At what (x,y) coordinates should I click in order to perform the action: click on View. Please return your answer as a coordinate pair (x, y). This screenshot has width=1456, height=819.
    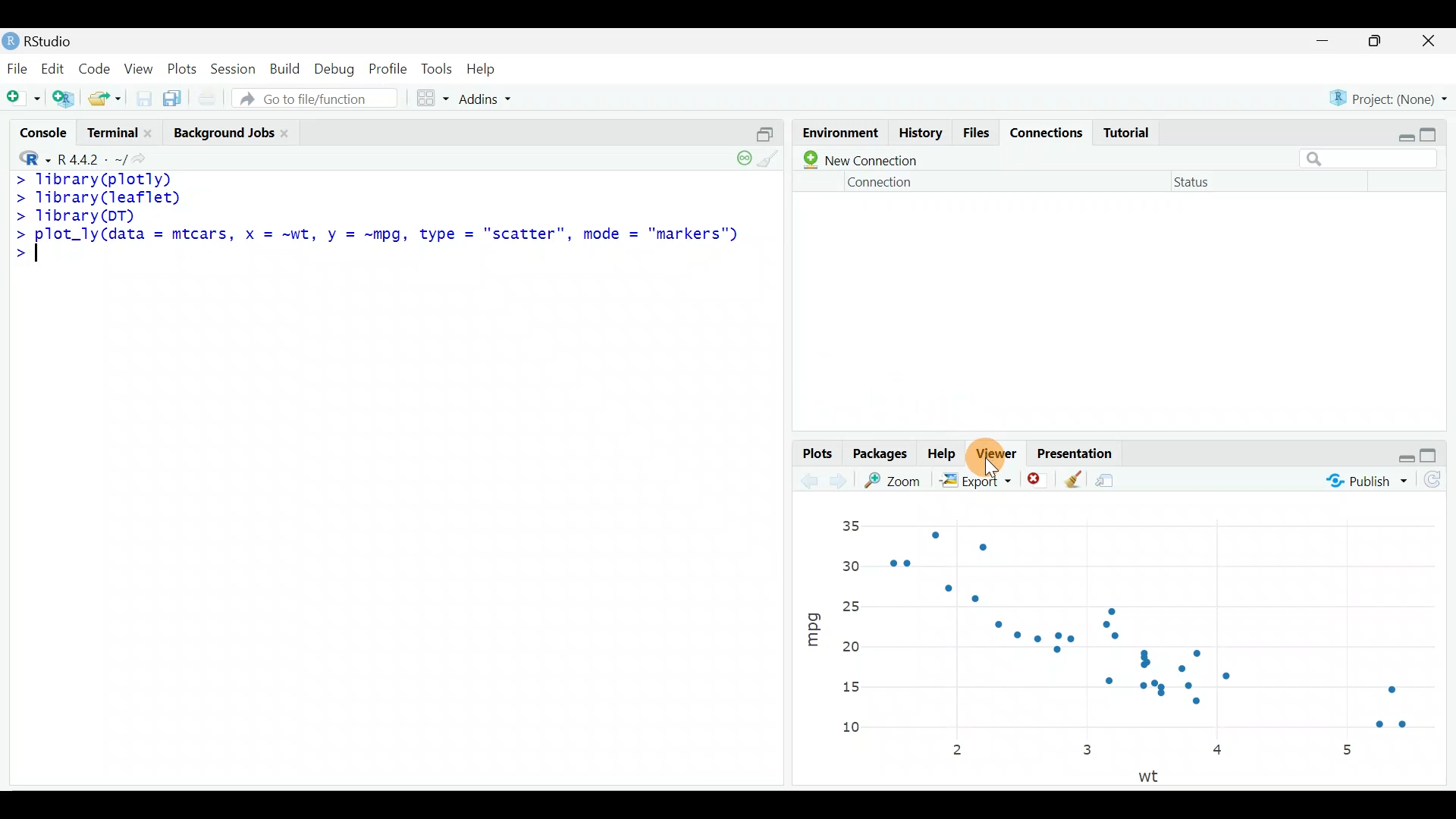
    Looking at the image, I should click on (140, 68).